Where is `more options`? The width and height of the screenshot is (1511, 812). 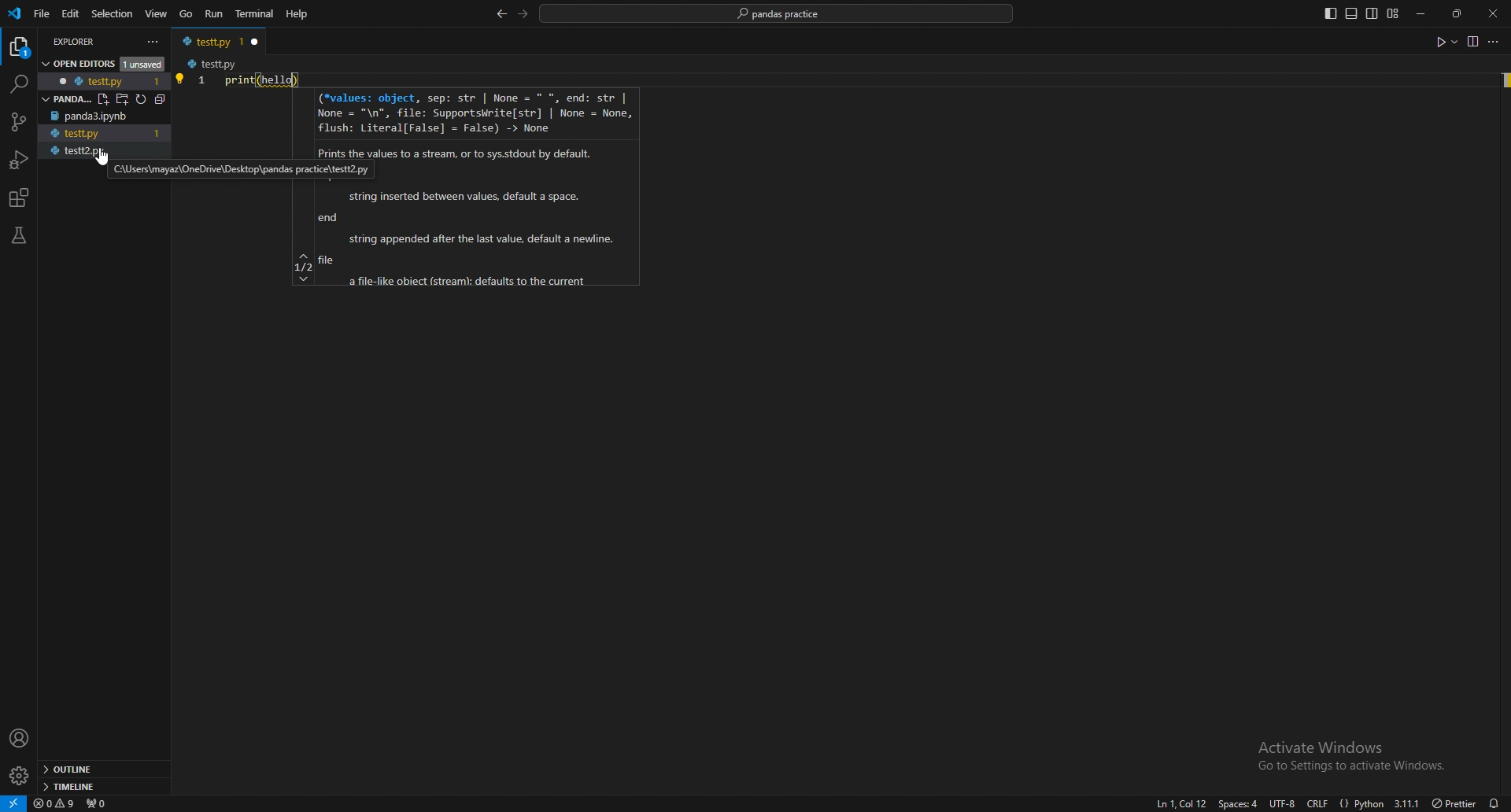
more options is located at coordinates (1496, 43).